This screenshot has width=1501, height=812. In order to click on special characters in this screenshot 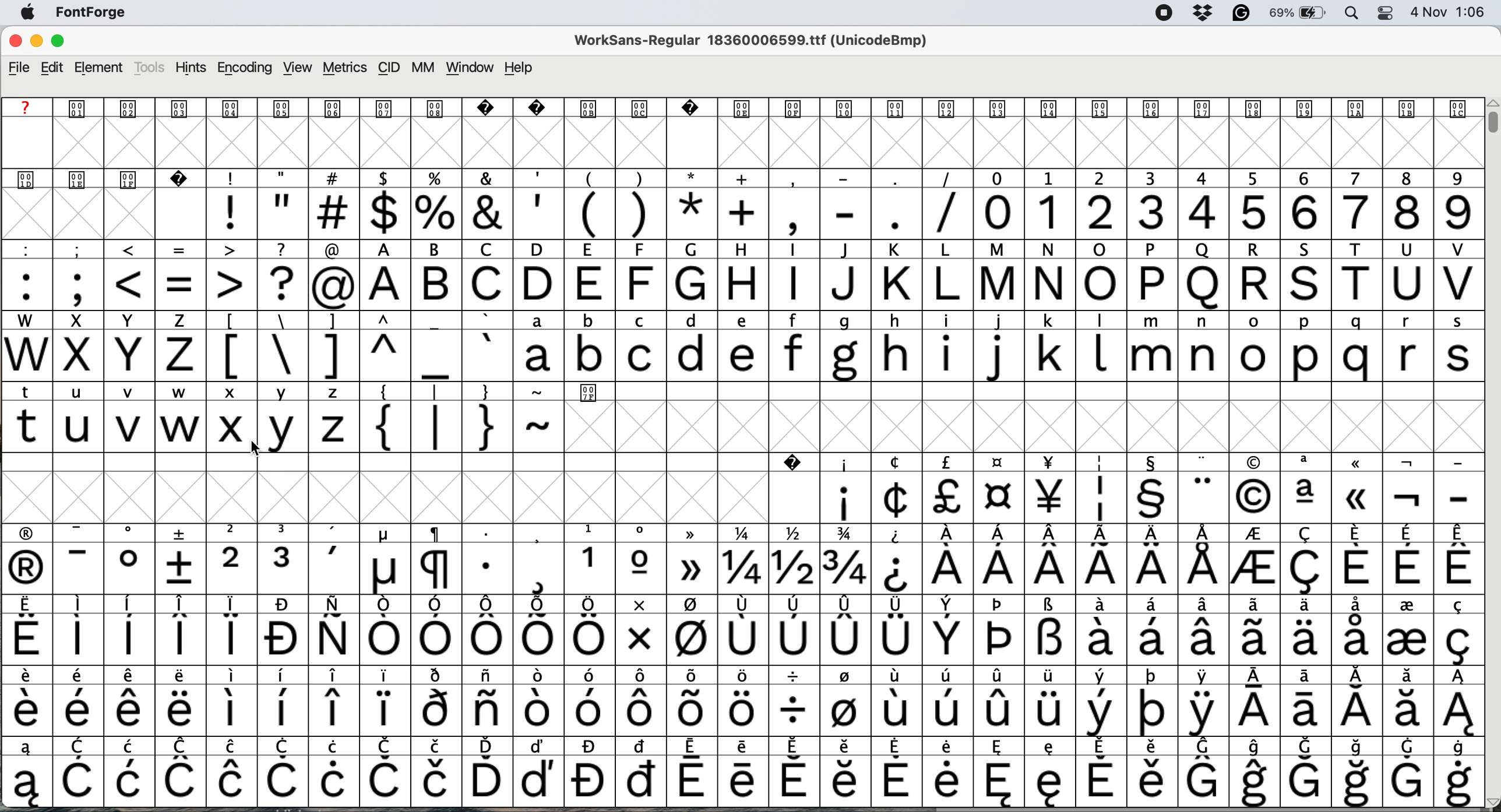, I will do `click(306, 393)`.